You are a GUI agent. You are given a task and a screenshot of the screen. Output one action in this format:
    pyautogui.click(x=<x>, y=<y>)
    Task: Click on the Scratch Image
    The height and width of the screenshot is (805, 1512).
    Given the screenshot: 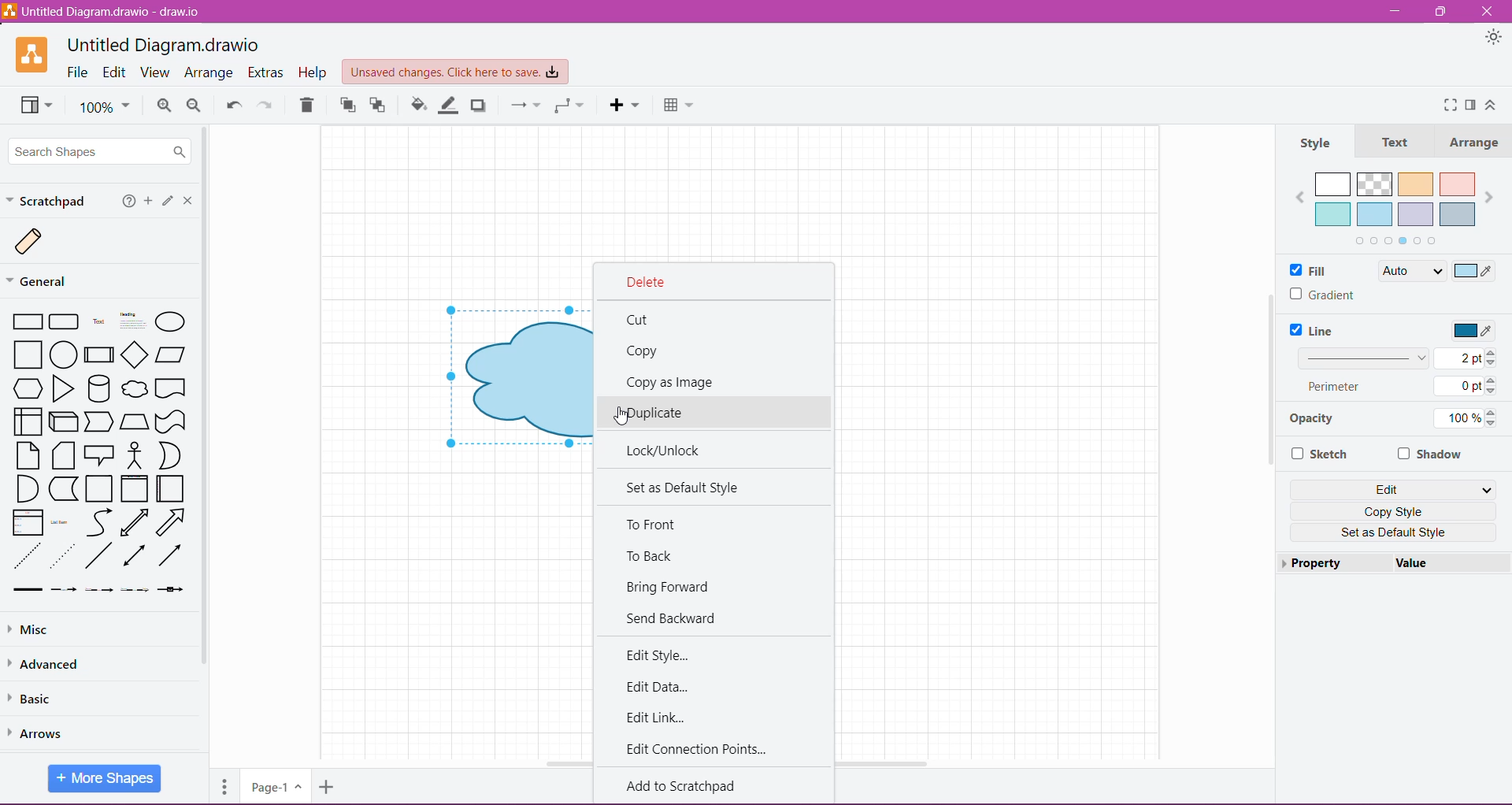 What is the action you would take?
    pyautogui.click(x=41, y=243)
    